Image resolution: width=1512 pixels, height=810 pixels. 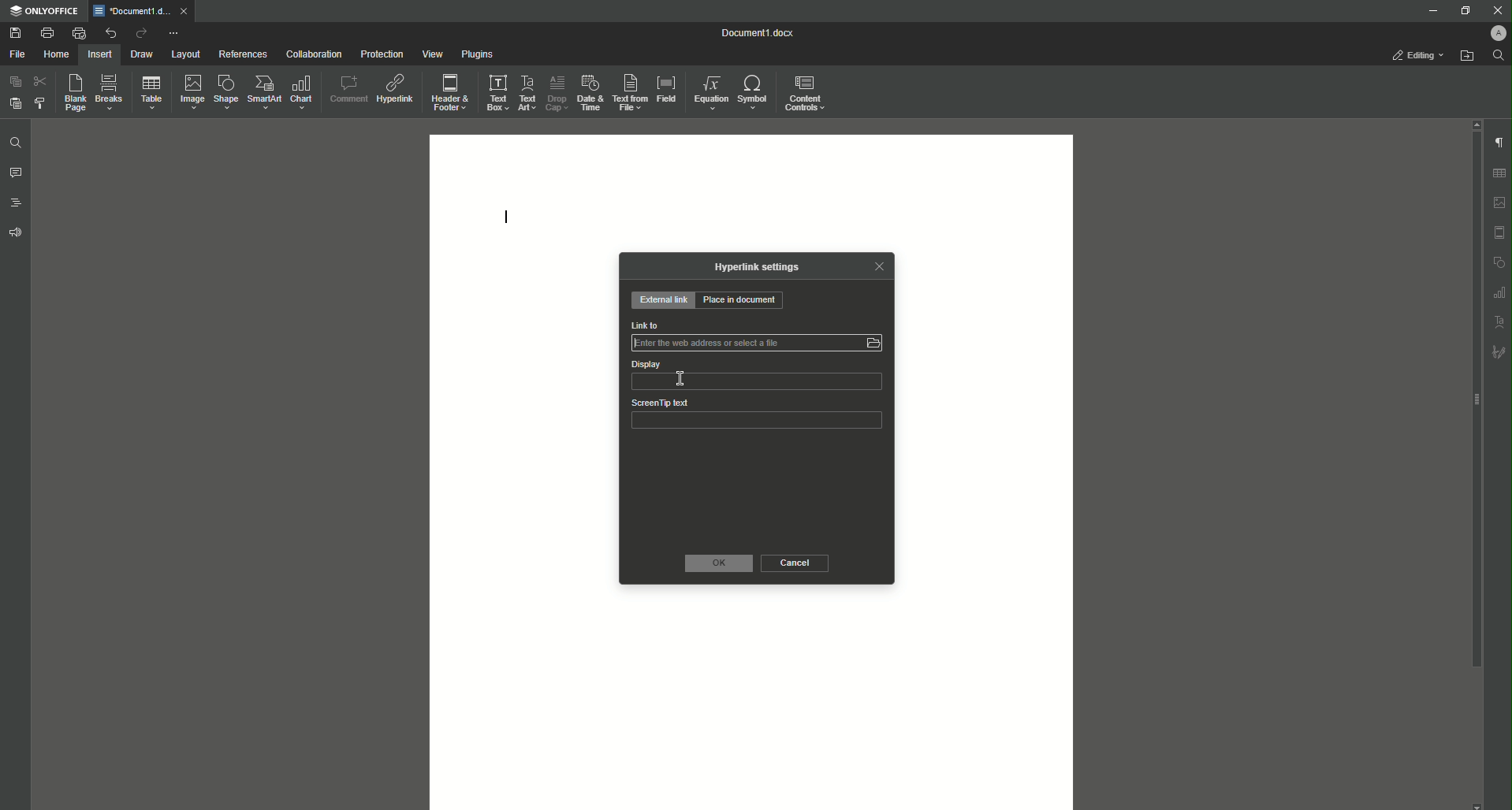 What do you see at coordinates (1500, 262) in the screenshot?
I see `shape settings` at bounding box center [1500, 262].